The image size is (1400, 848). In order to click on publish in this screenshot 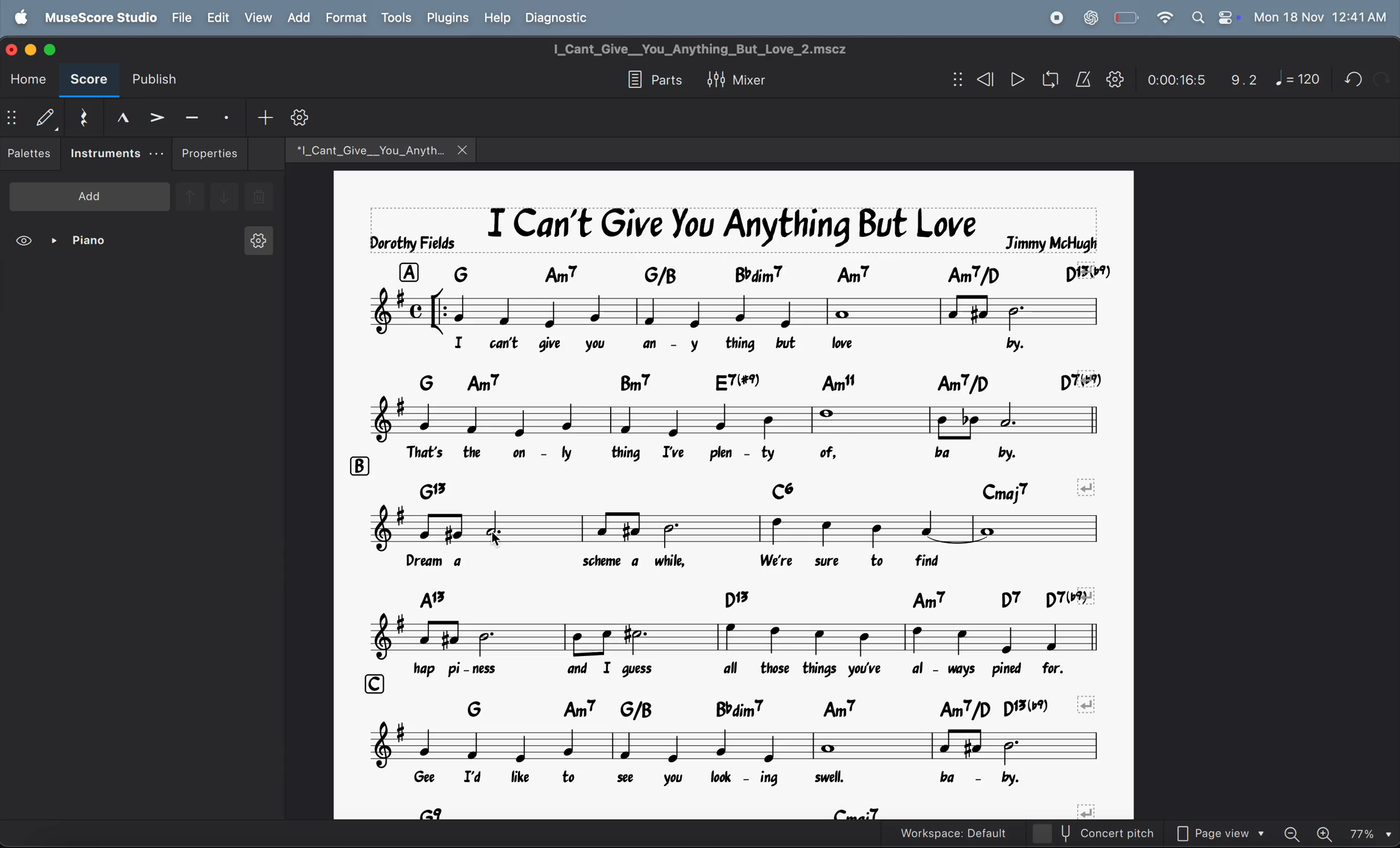, I will do `click(153, 80)`.